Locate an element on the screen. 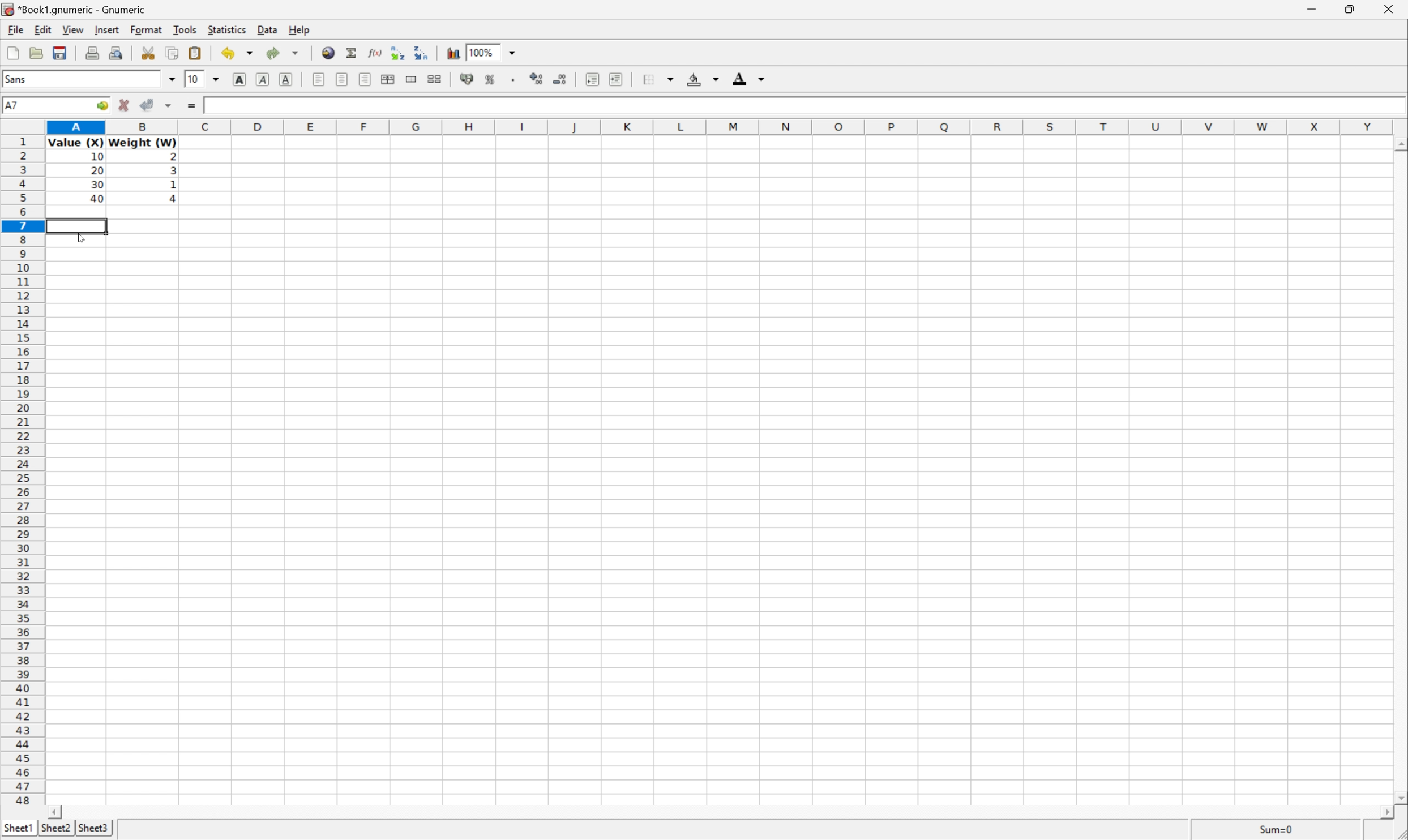 The height and width of the screenshot is (840, 1408). Value 00 is located at coordinates (226, 107).